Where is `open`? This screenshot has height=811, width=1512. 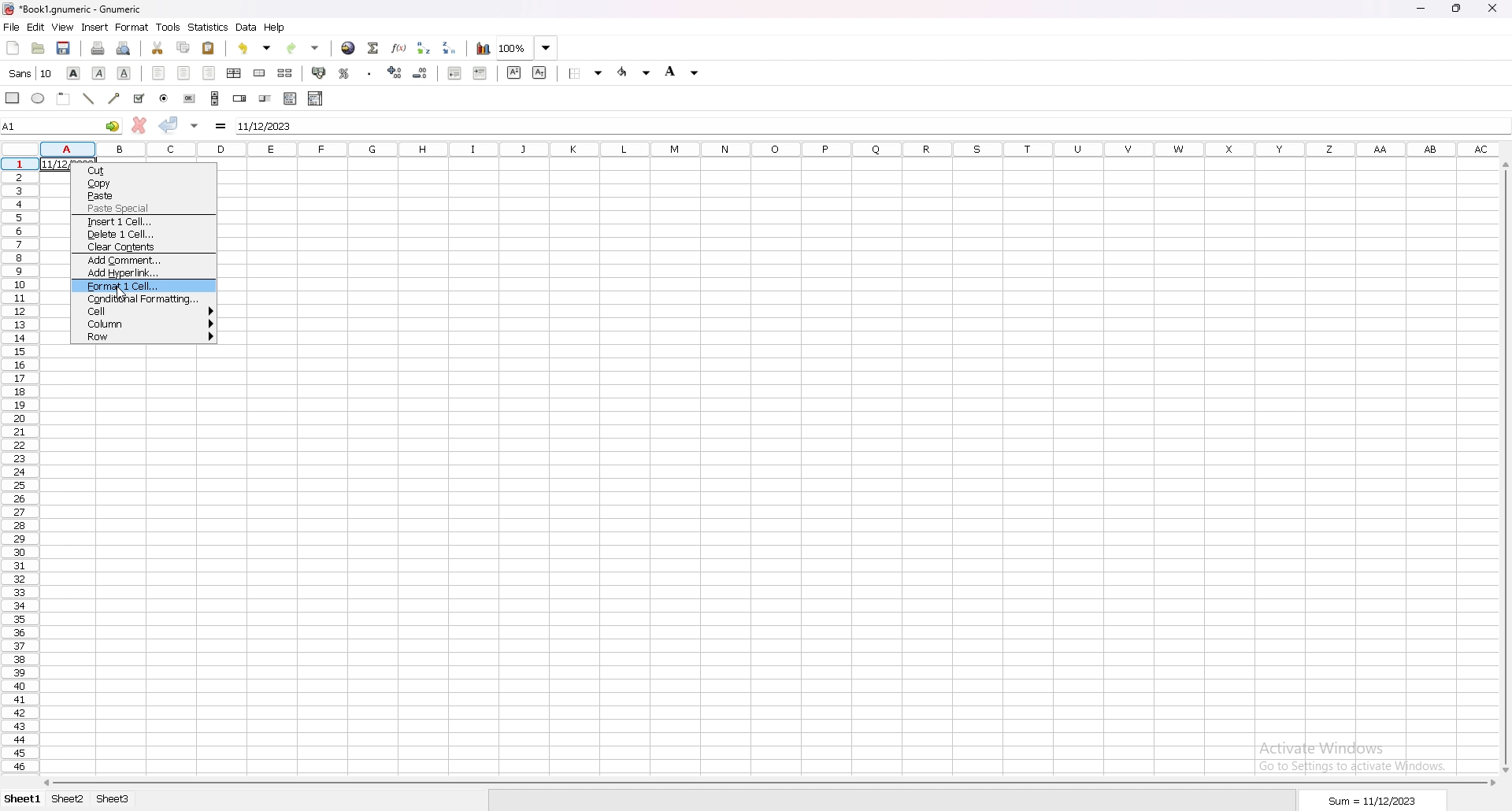
open is located at coordinates (38, 47).